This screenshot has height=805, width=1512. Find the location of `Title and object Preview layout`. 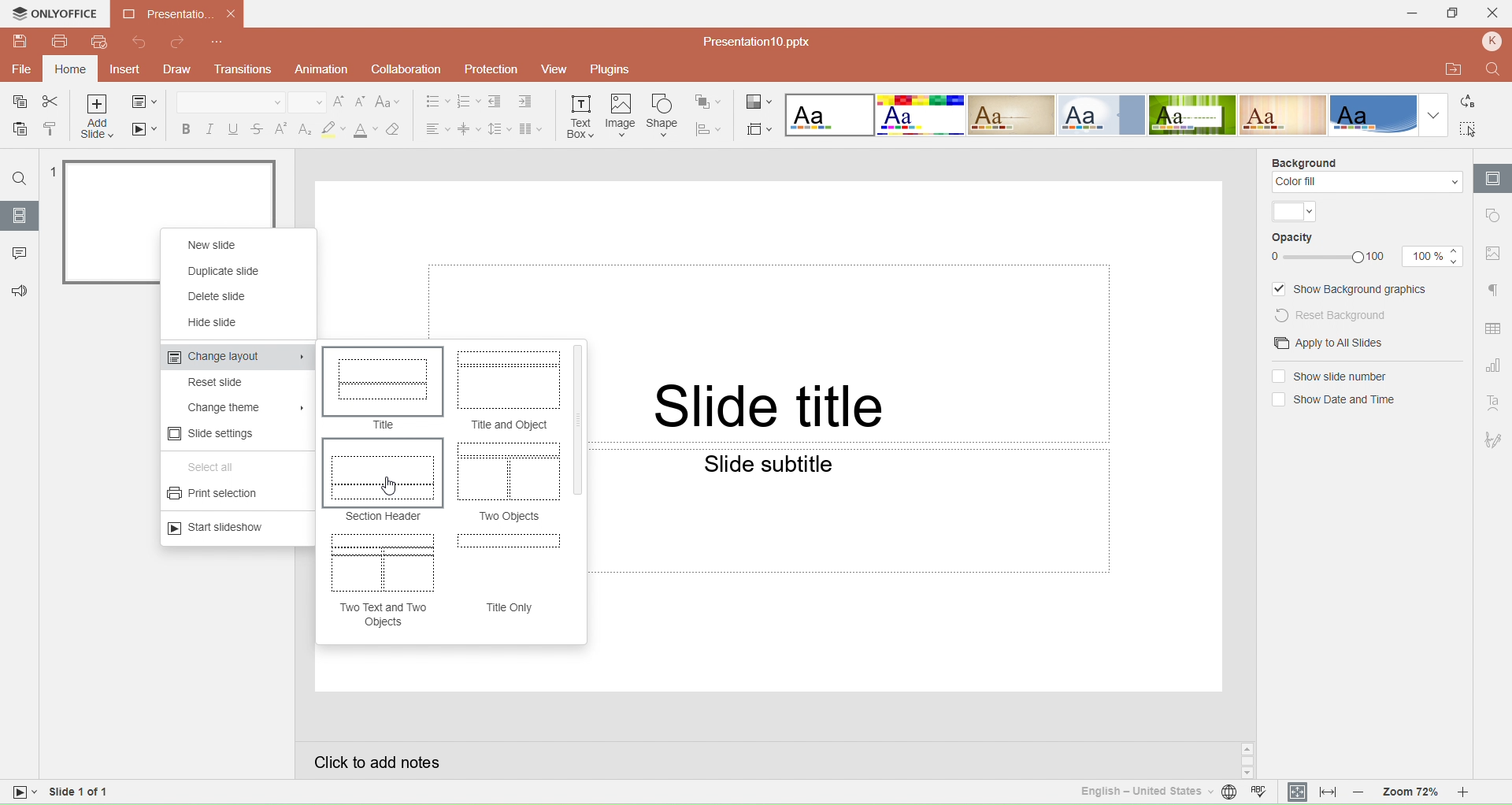

Title and object Preview layout is located at coordinates (507, 381).